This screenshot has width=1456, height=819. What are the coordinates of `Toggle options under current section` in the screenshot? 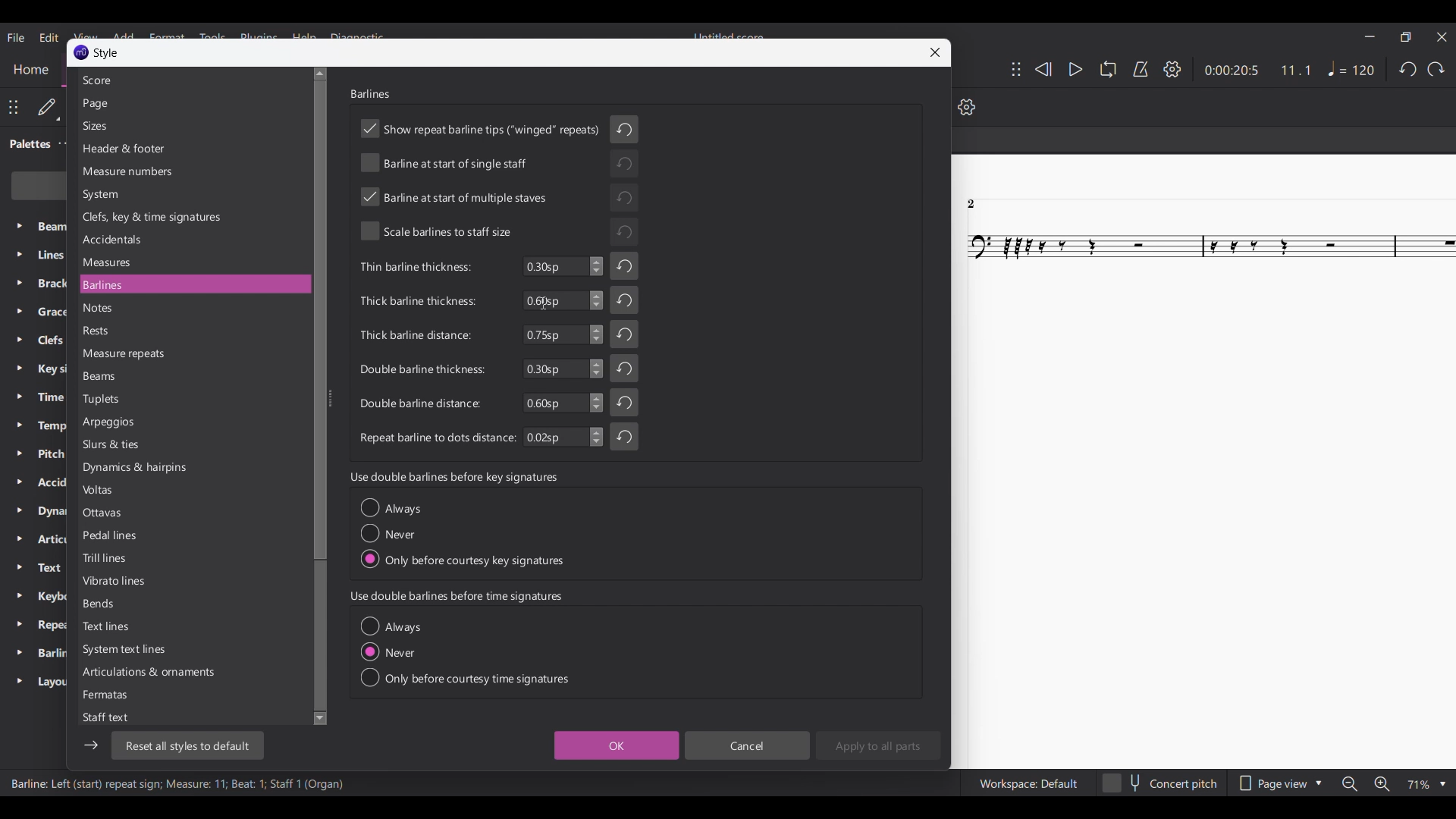 It's located at (465, 652).